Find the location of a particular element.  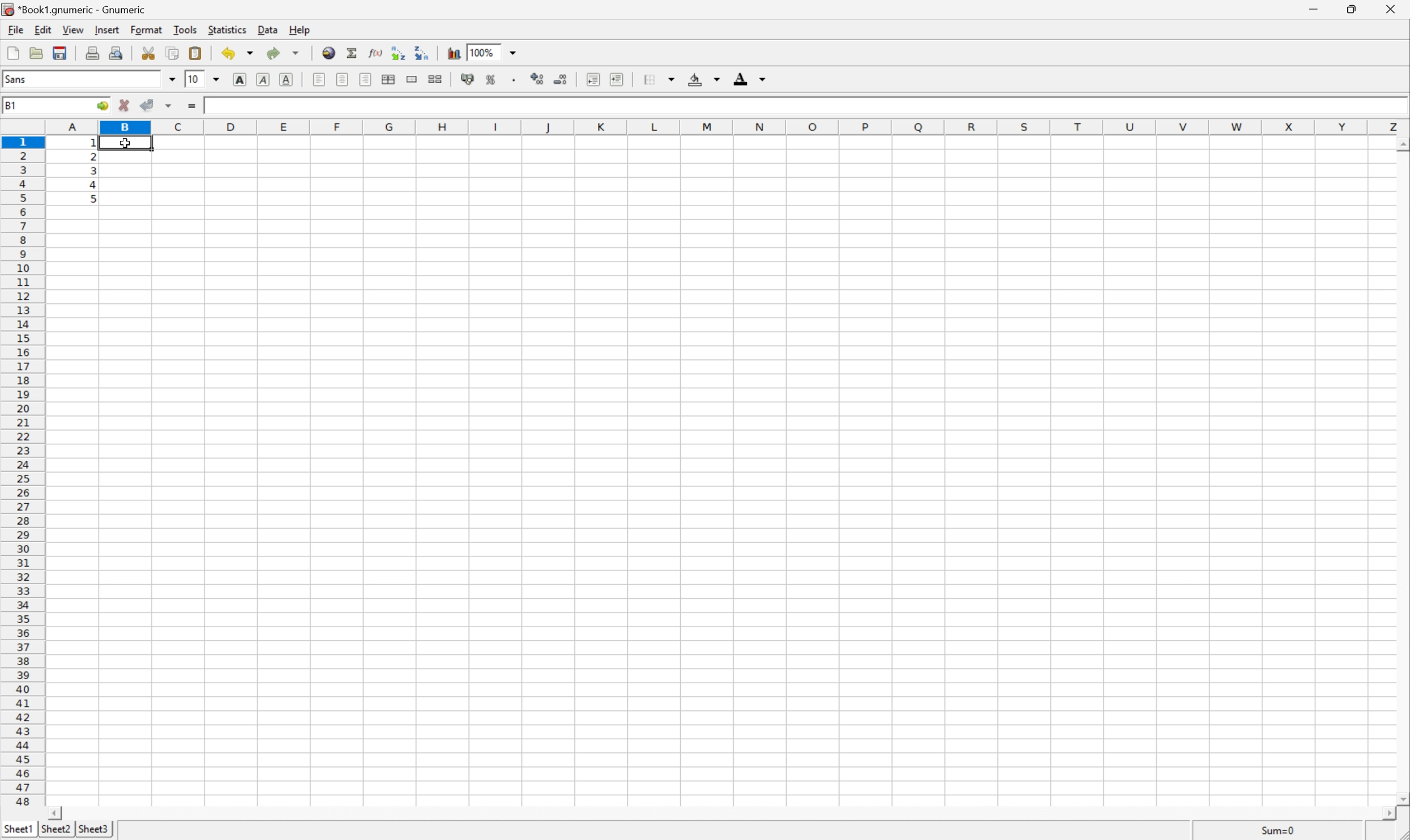

Borders is located at coordinates (657, 78).